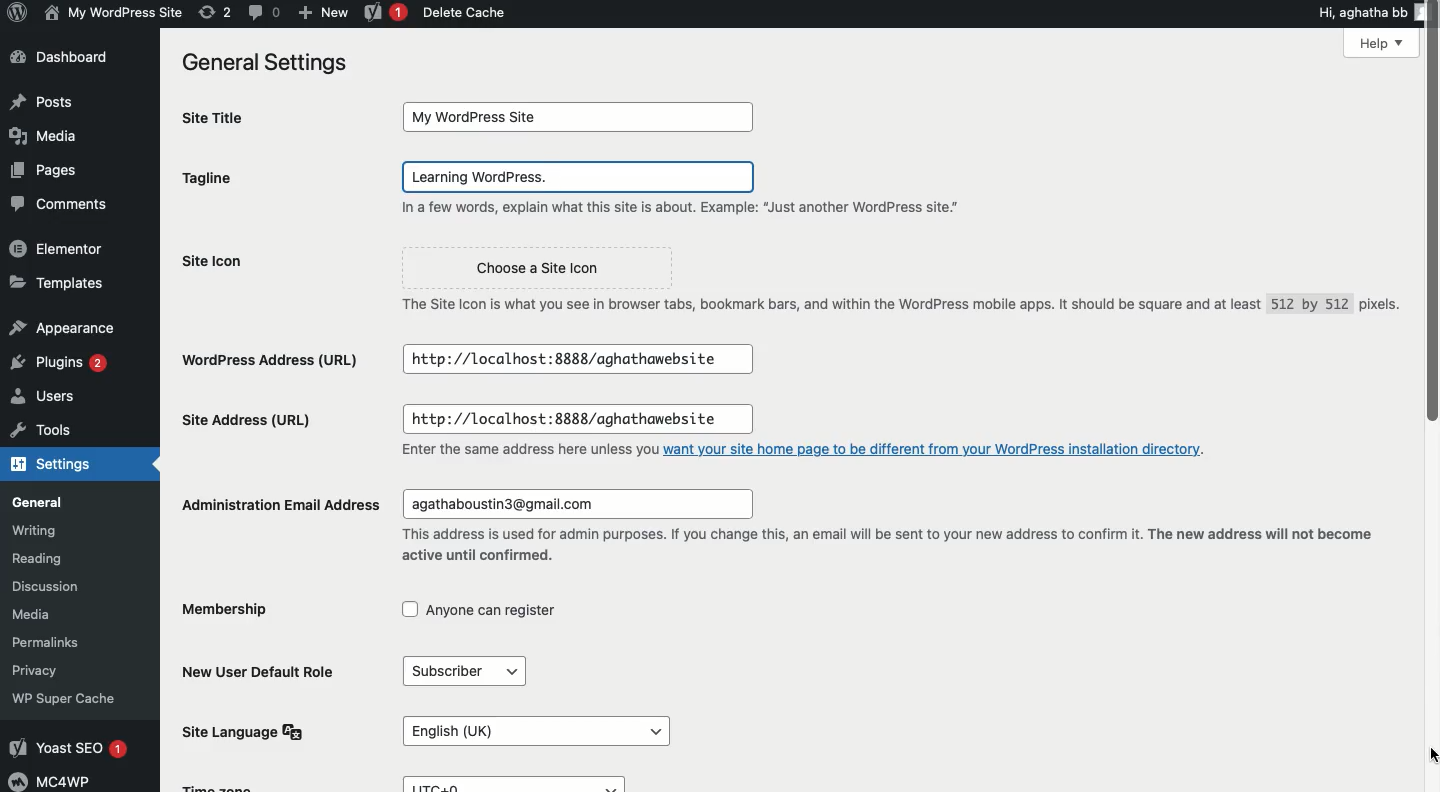 This screenshot has height=792, width=1440. I want to click on WP Super Cache, so click(79, 698).